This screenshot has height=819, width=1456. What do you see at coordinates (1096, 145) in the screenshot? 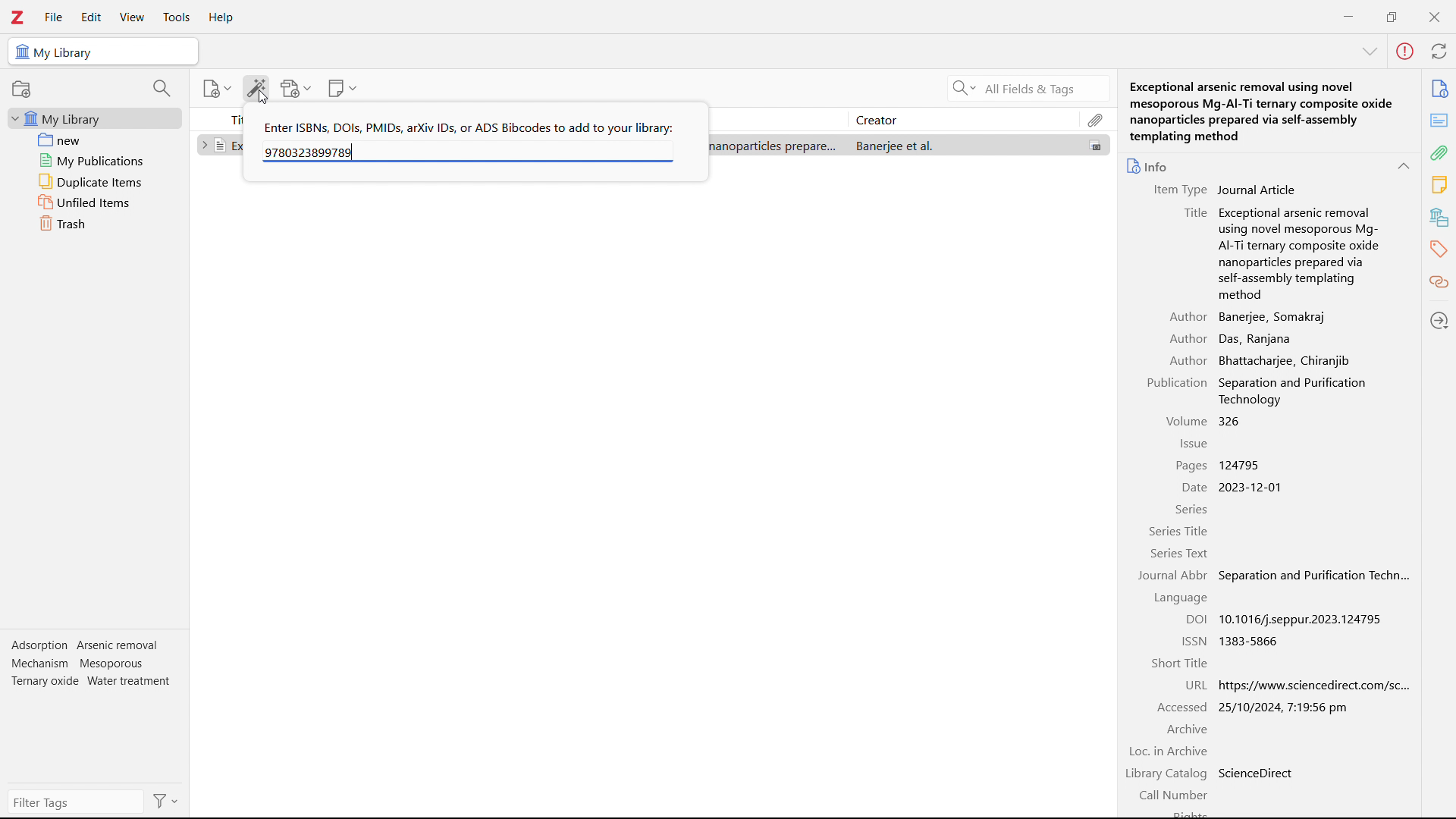
I see `file available` at bounding box center [1096, 145].